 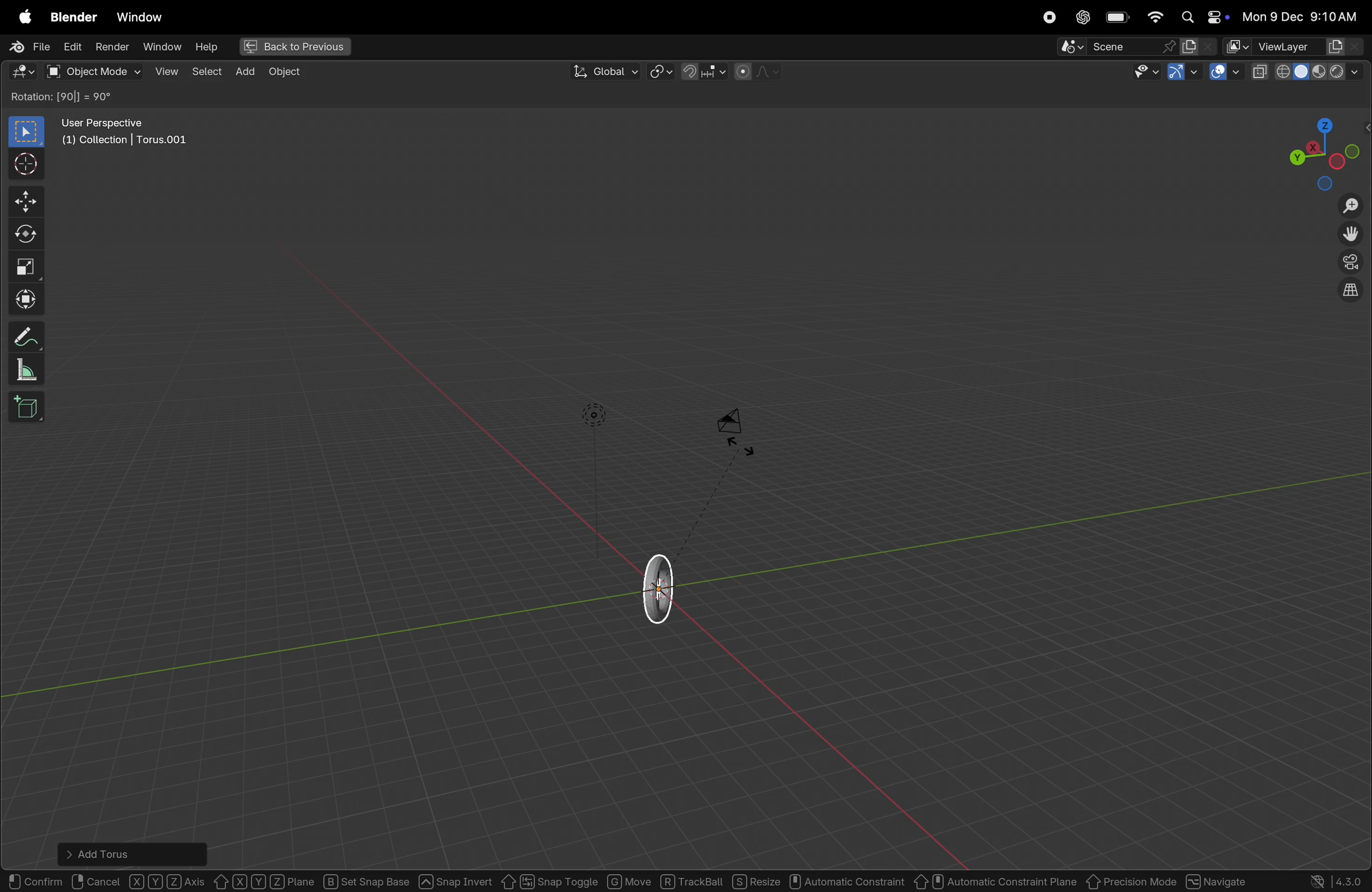 I want to click on move, so click(x=629, y=879).